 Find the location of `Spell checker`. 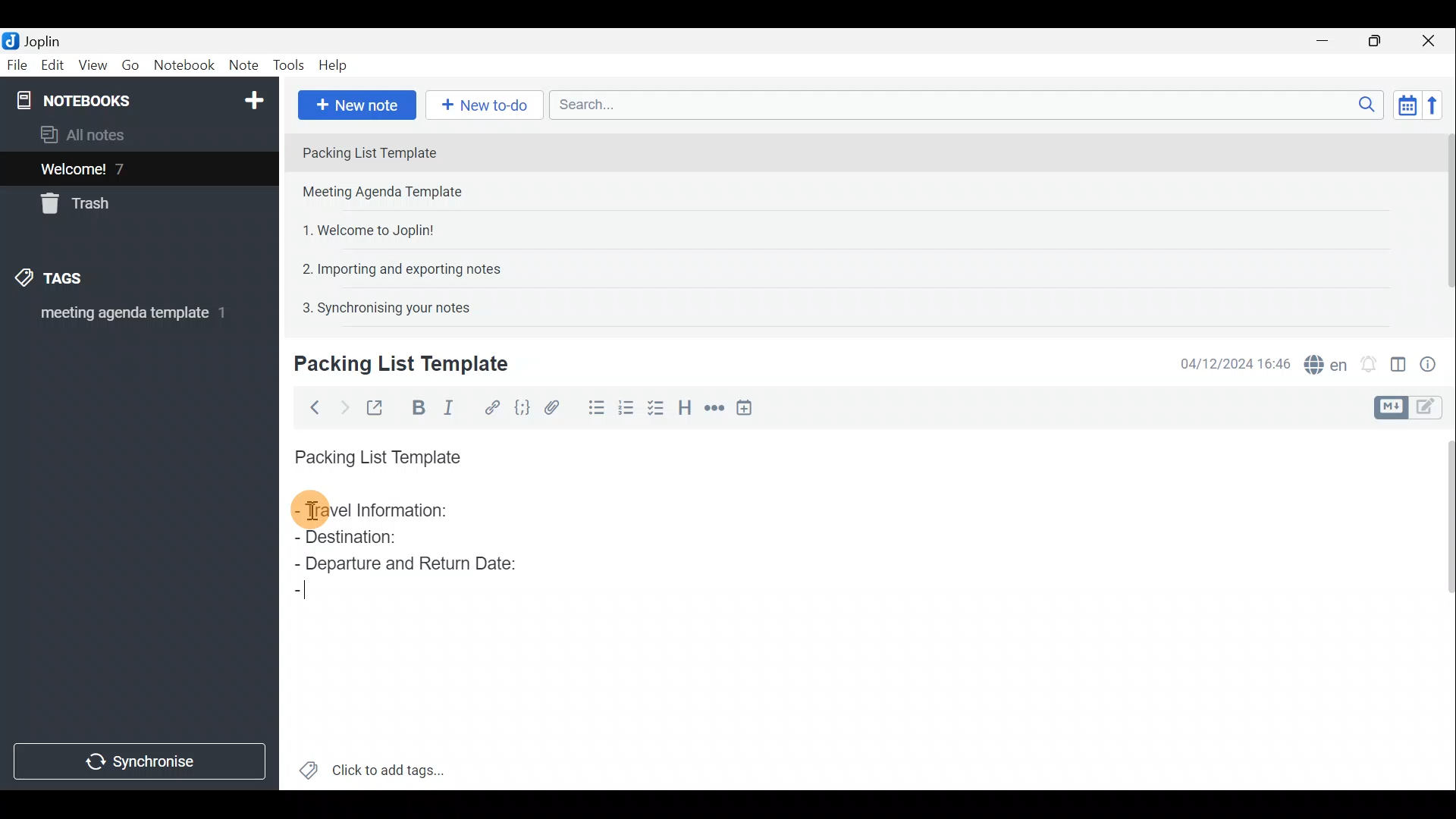

Spell checker is located at coordinates (1322, 362).